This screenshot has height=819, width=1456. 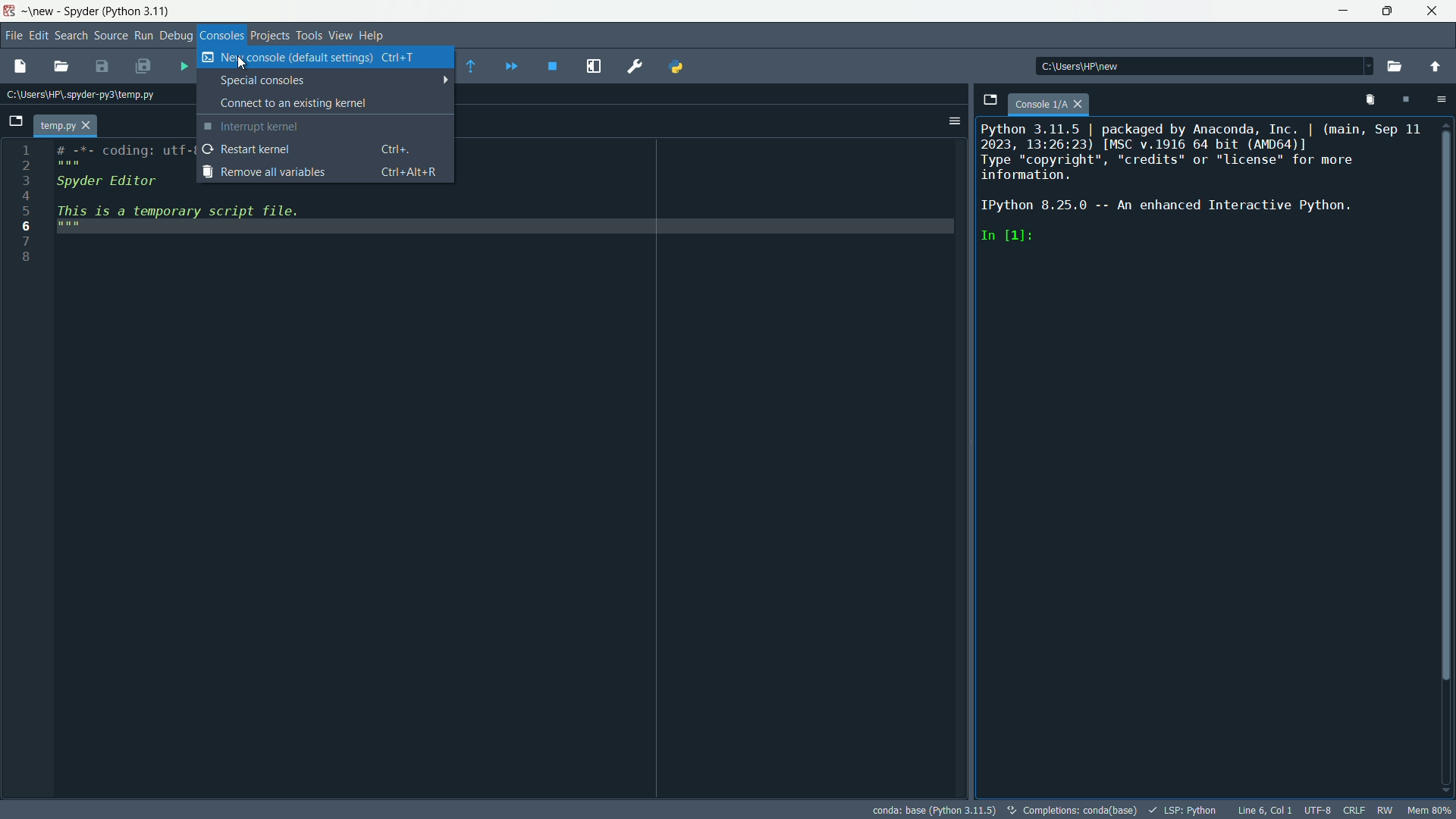 I want to click on new consoles(default settings), so click(x=326, y=57).